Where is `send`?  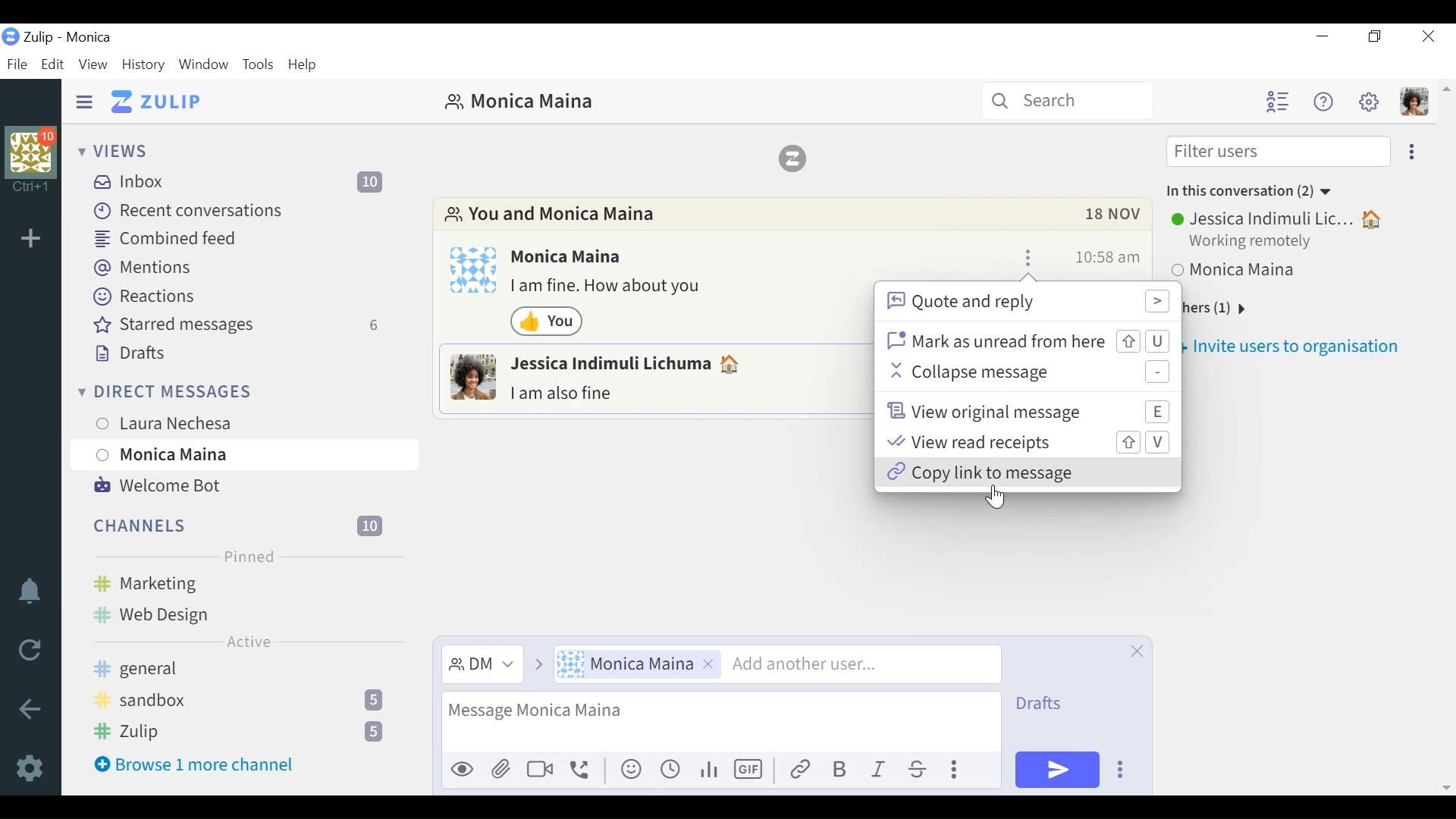
send is located at coordinates (1058, 770).